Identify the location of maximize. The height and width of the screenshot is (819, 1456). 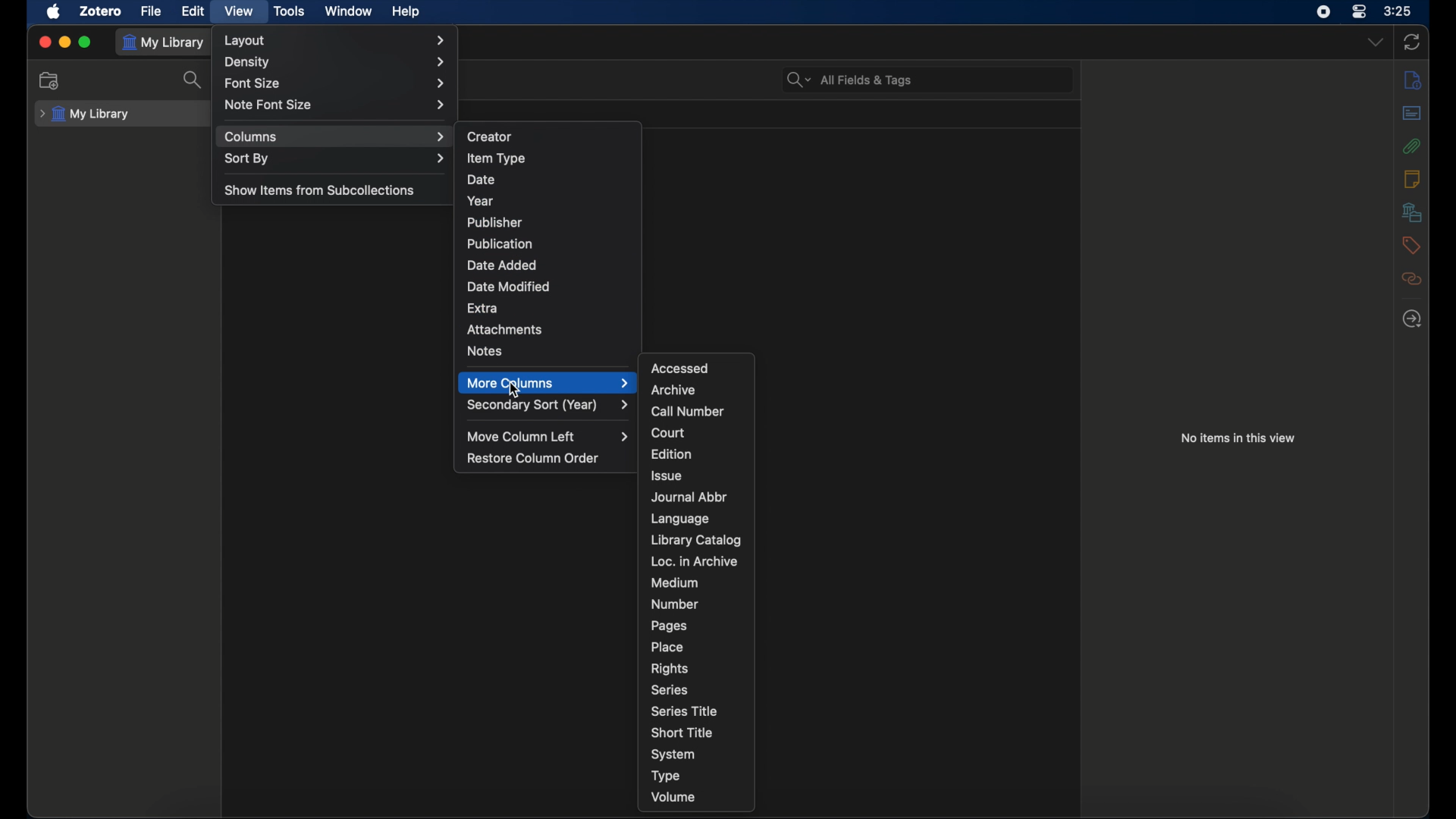
(86, 42).